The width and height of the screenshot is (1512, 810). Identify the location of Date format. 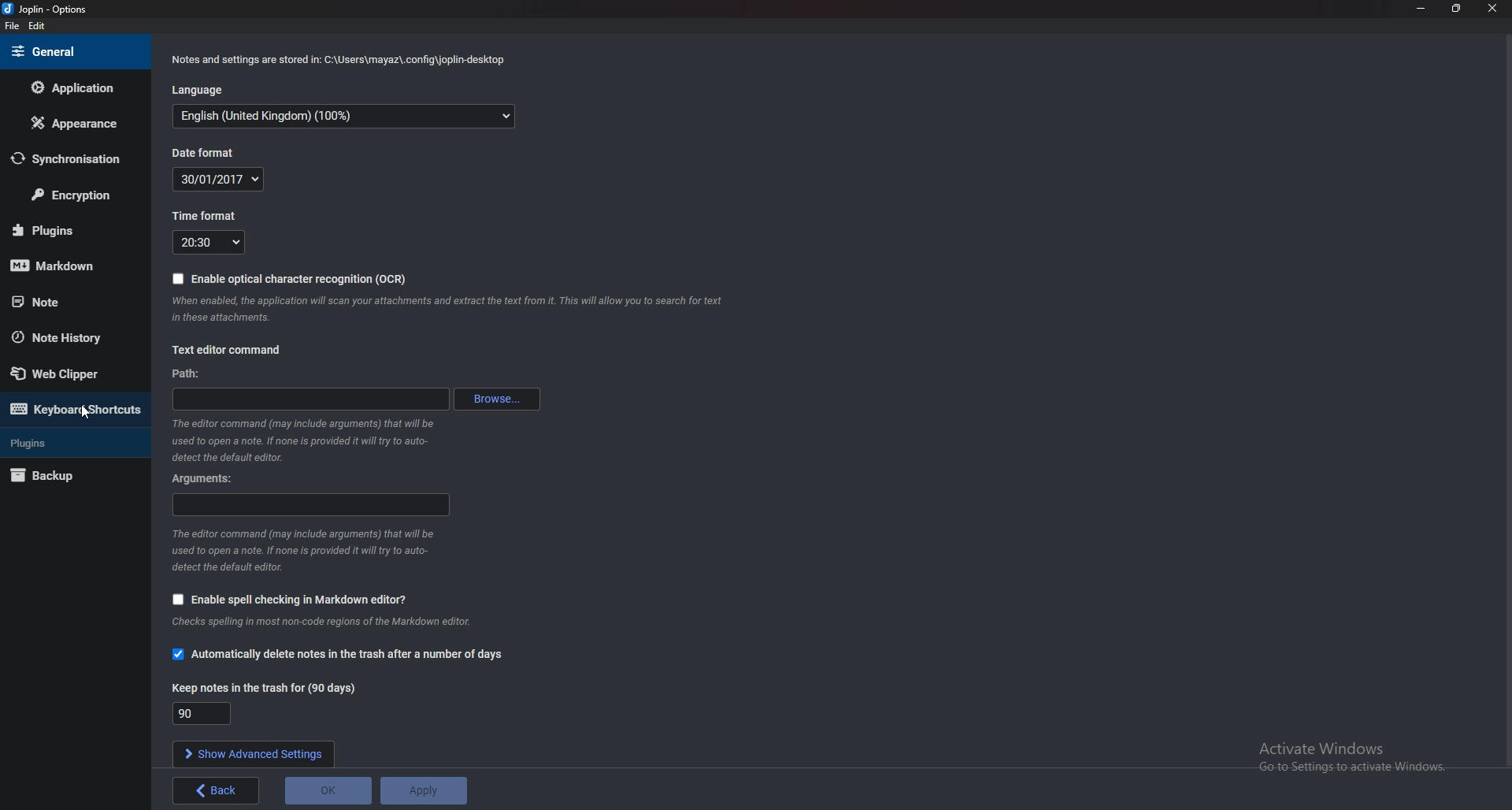
(215, 178).